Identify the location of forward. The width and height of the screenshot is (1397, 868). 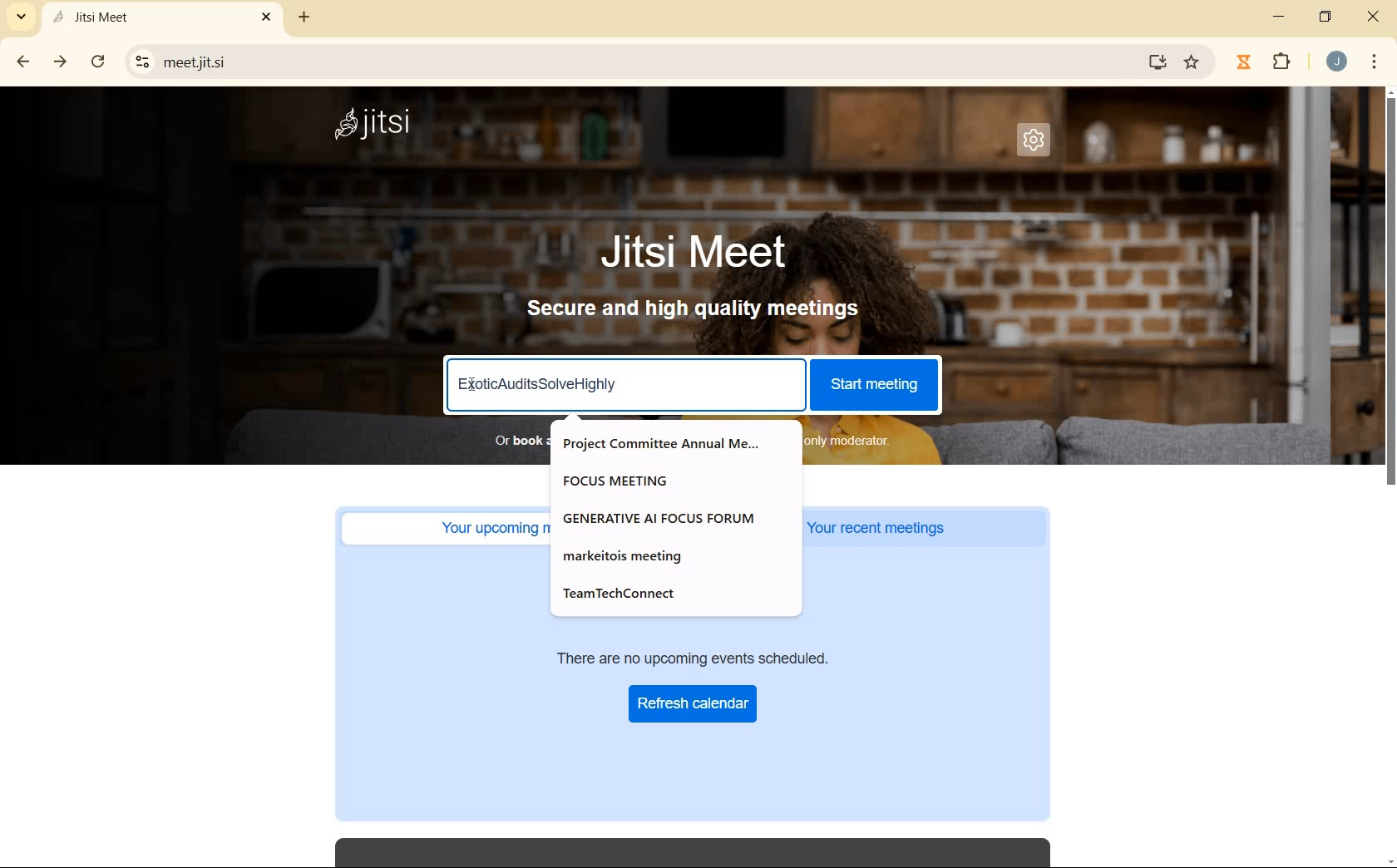
(62, 62).